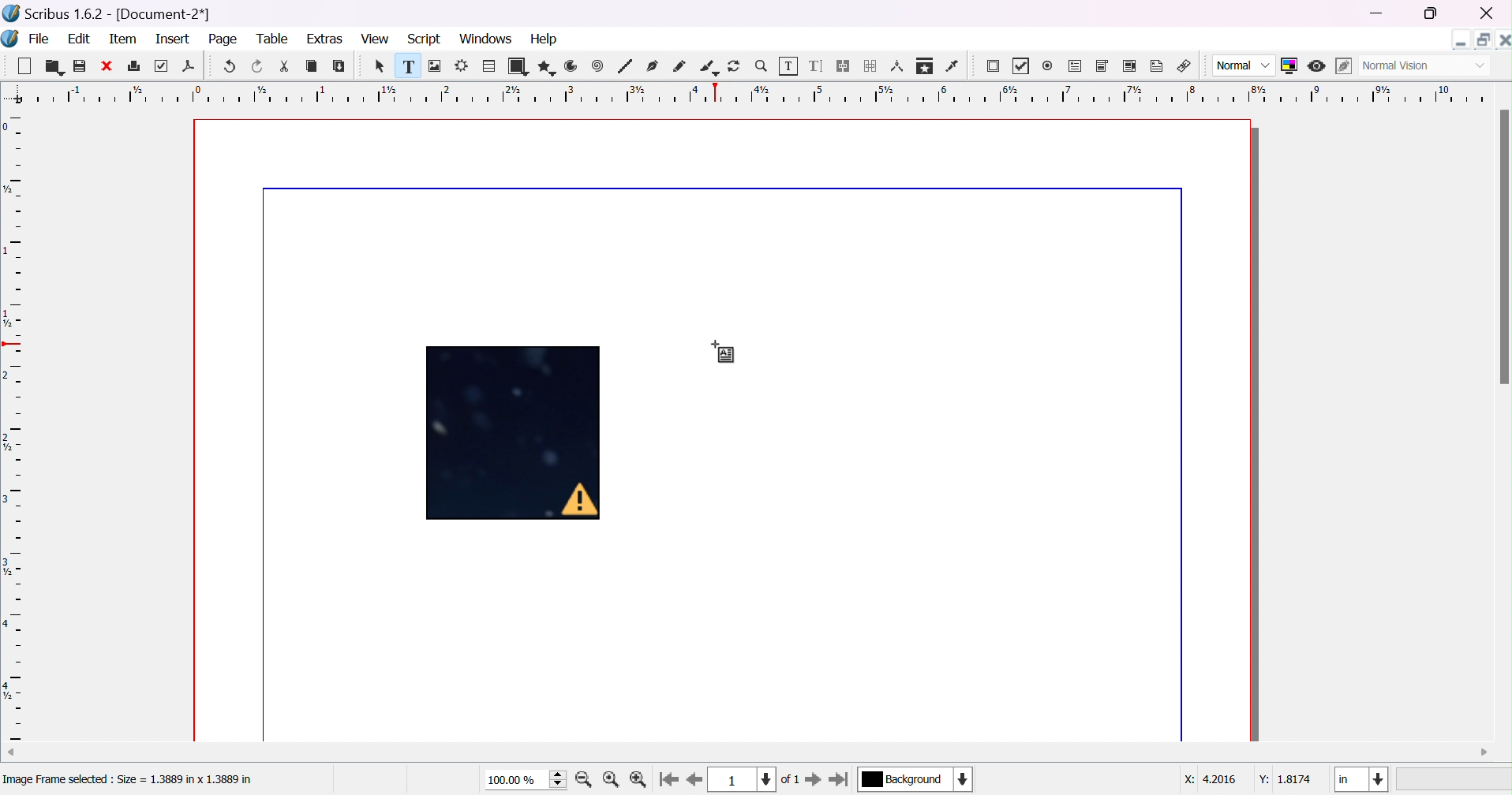  I want to click on scroll left, so click(9, 751).